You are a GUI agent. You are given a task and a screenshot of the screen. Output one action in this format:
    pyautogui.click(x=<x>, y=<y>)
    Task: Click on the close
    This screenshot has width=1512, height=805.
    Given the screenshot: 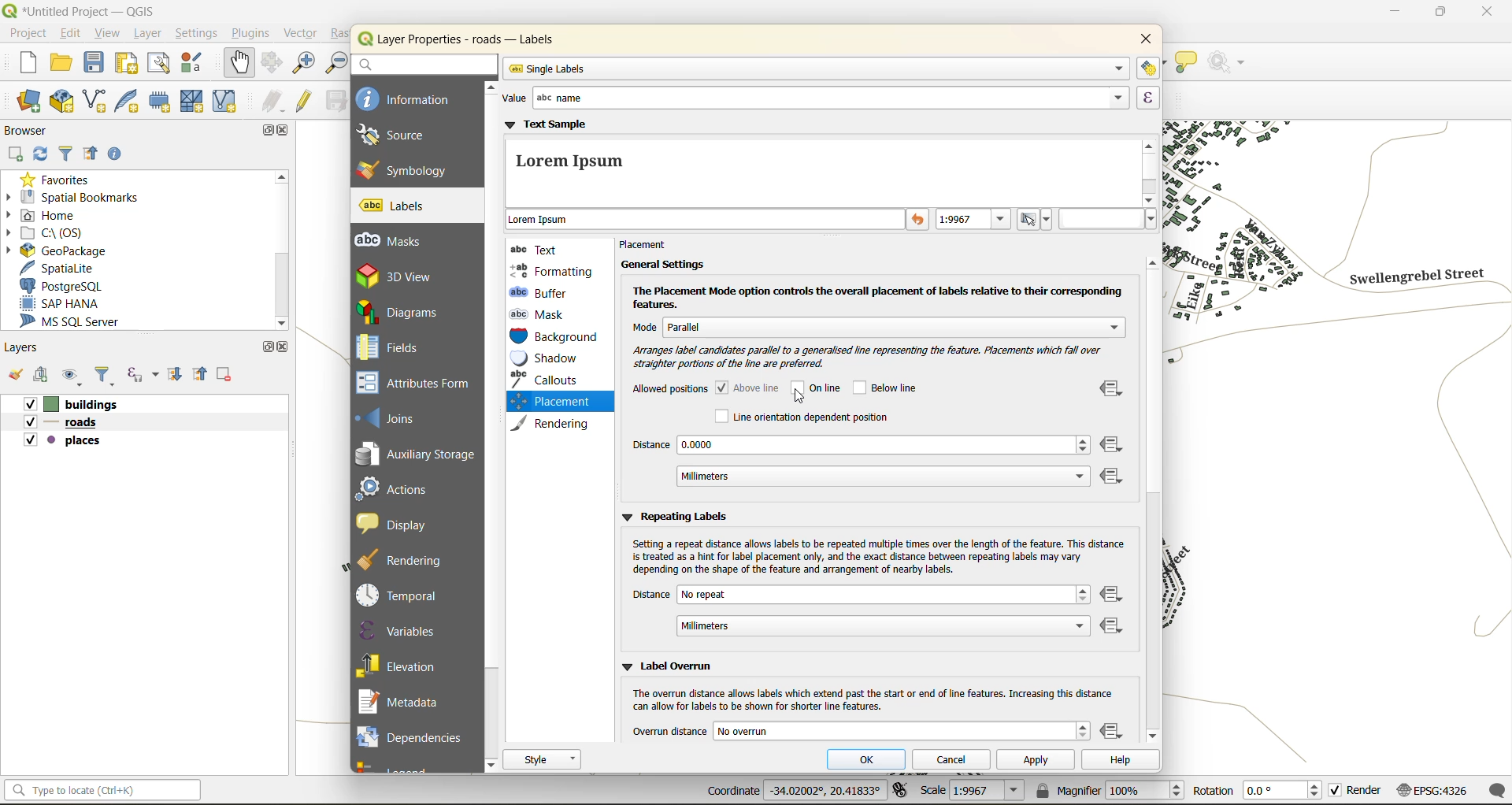 What is the action you would take?
    pyautogui.click(x=287, y=349)
    